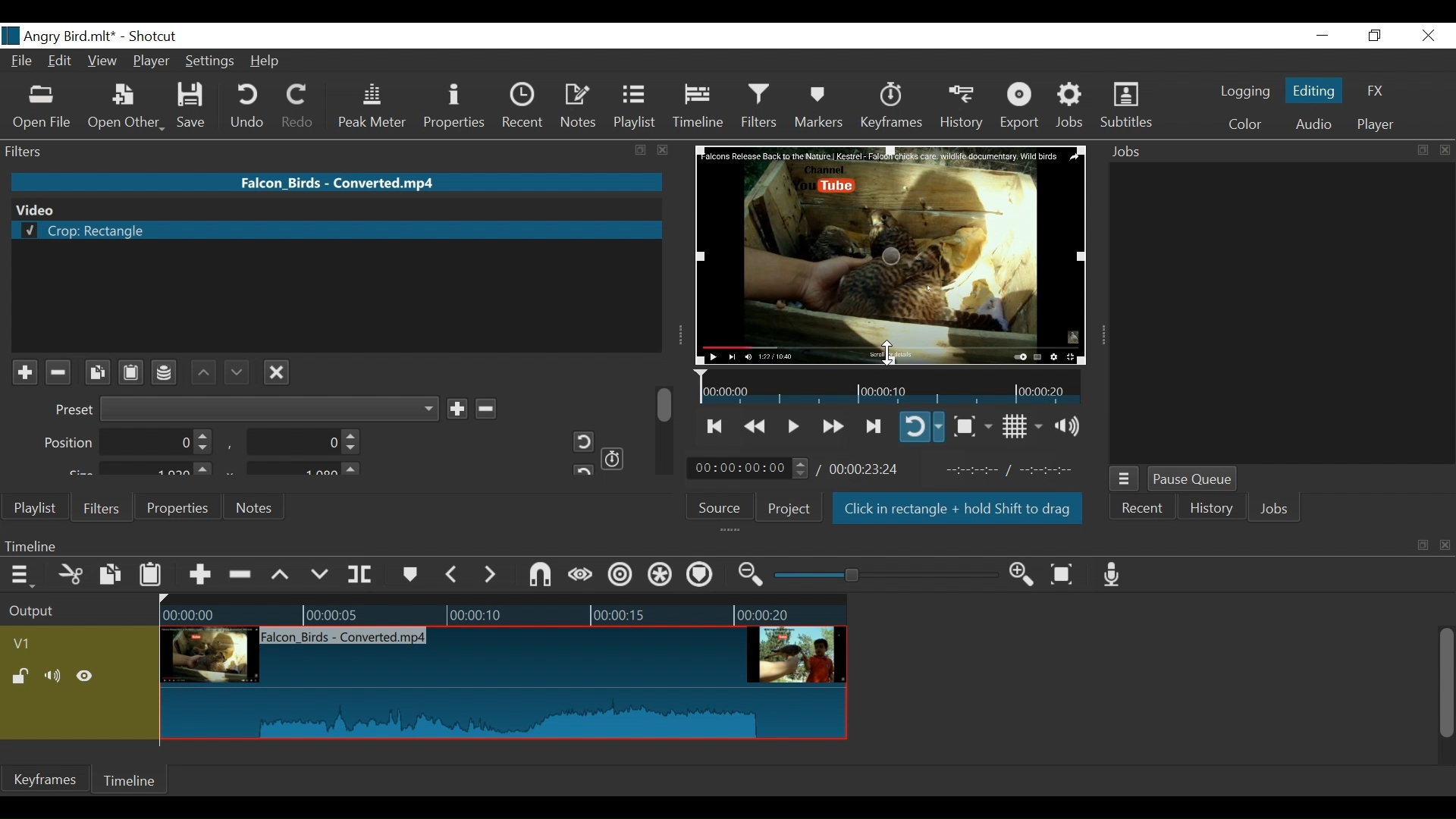 The image size is (1456, 819). What do you see at coordinates (102, 62) in the screenshot?
I see `View` at bounding box center [102, 62].